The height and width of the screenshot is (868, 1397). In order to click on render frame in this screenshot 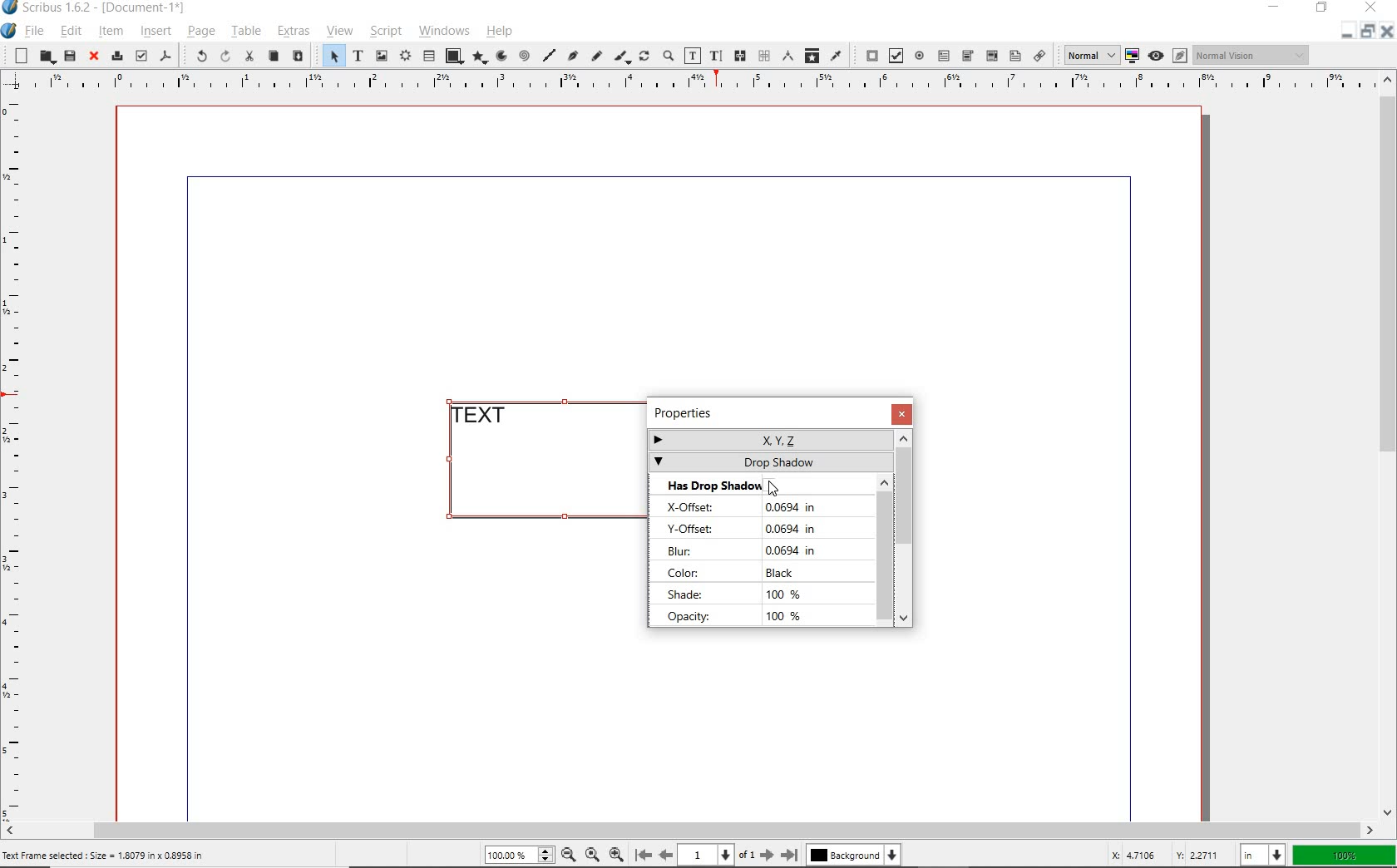, I will do `click(404, 57)`.